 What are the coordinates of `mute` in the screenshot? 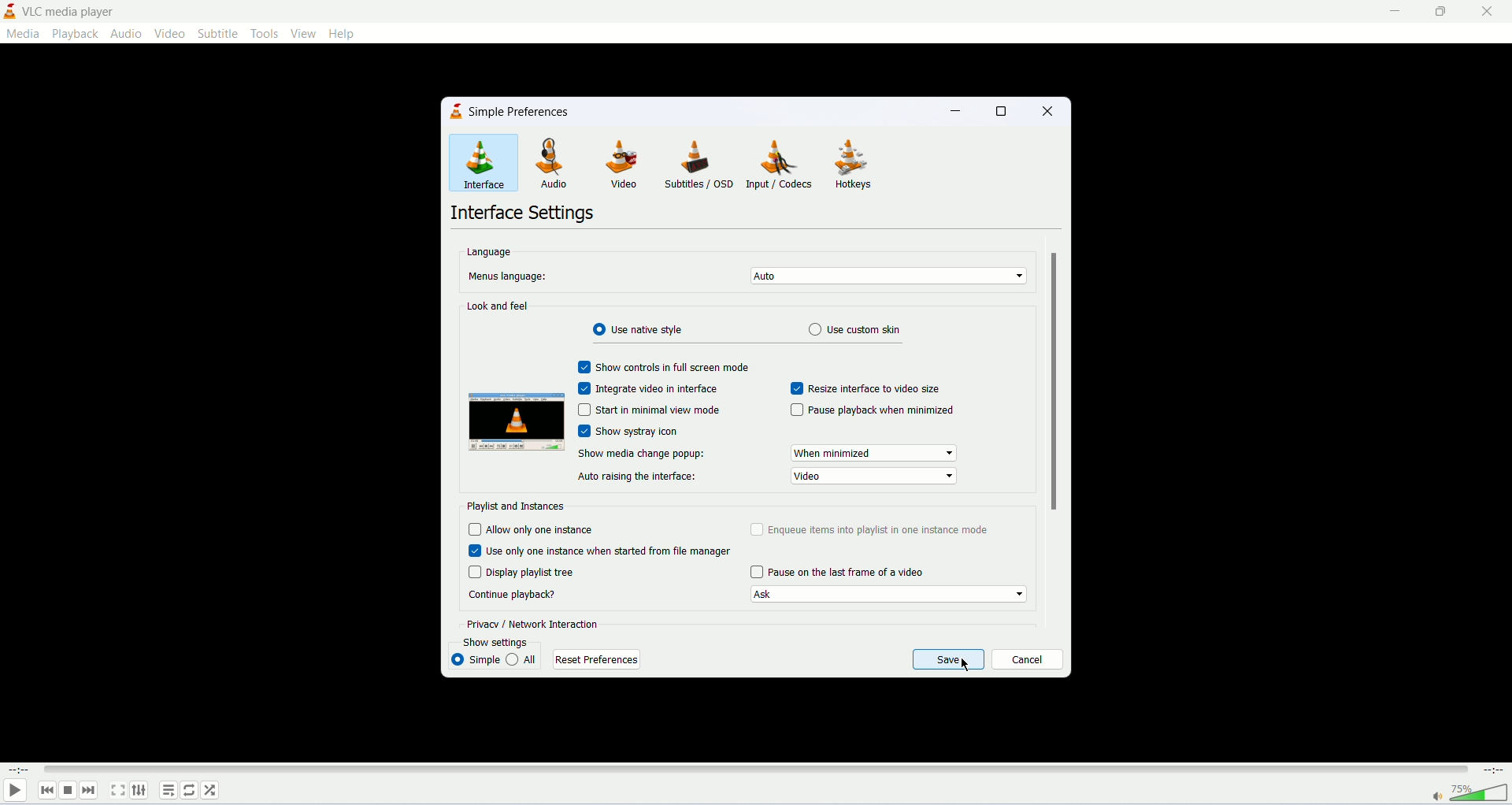 It's located at (1439, 797).